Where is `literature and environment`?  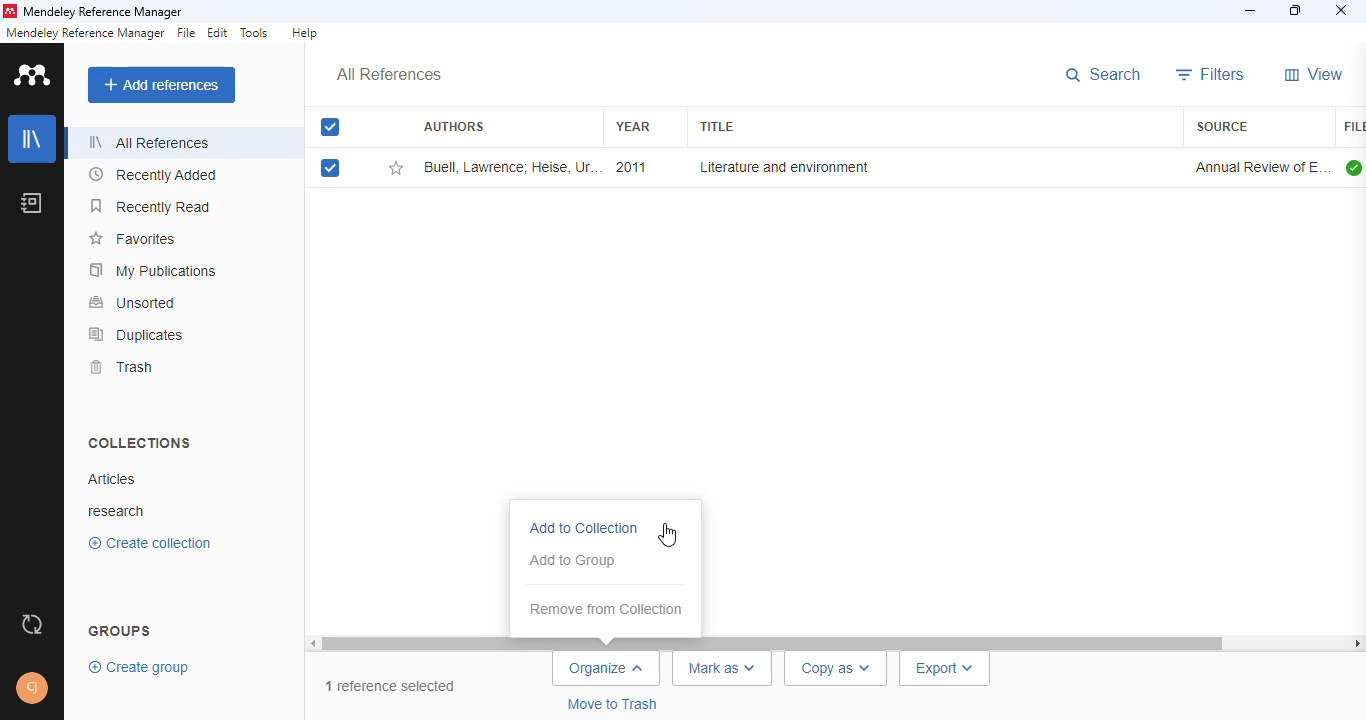 literature and environment is located at coordinates (782, 167).